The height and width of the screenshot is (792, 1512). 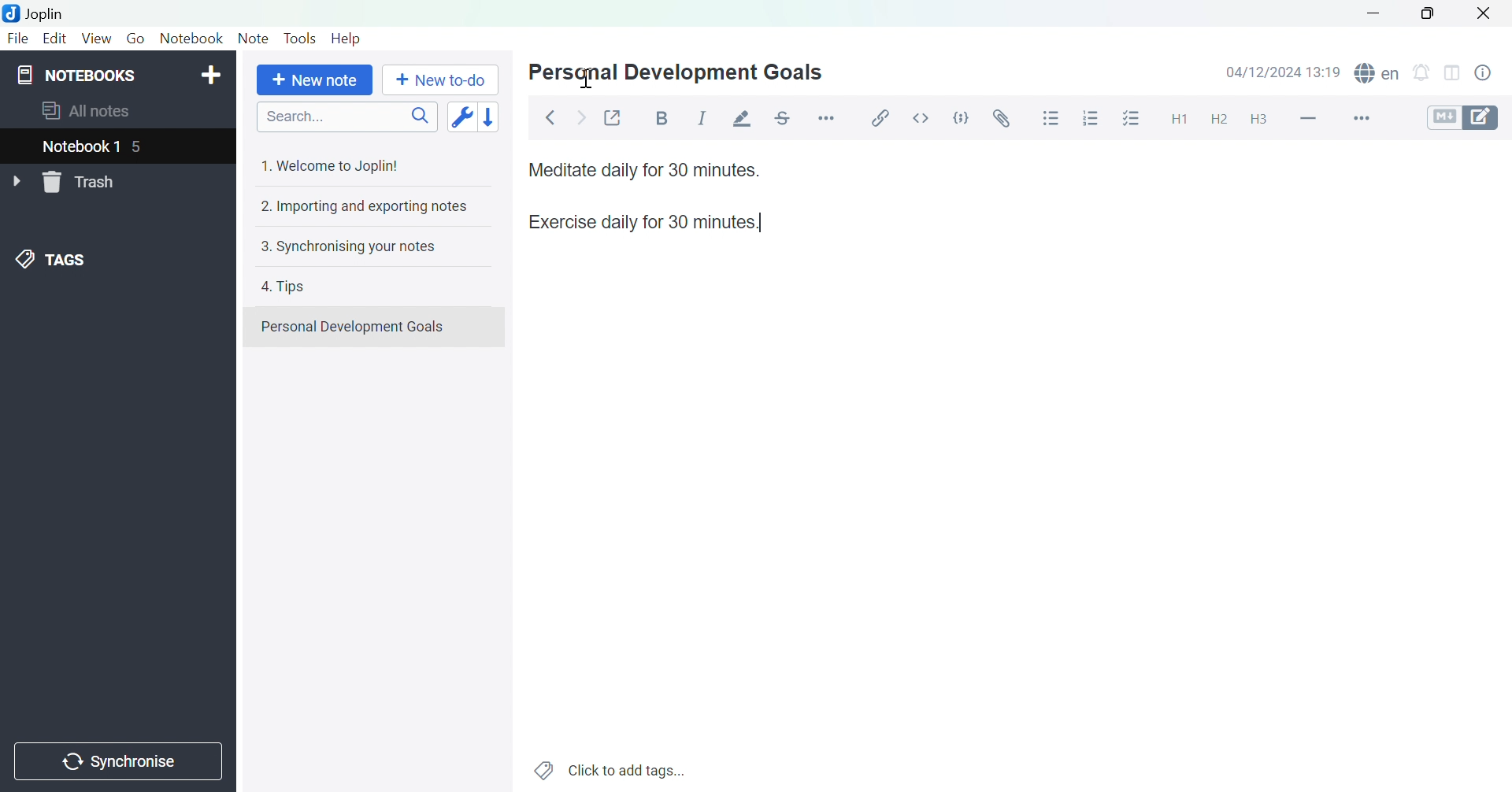 I want to click on Back, so click(x=550, y=117).